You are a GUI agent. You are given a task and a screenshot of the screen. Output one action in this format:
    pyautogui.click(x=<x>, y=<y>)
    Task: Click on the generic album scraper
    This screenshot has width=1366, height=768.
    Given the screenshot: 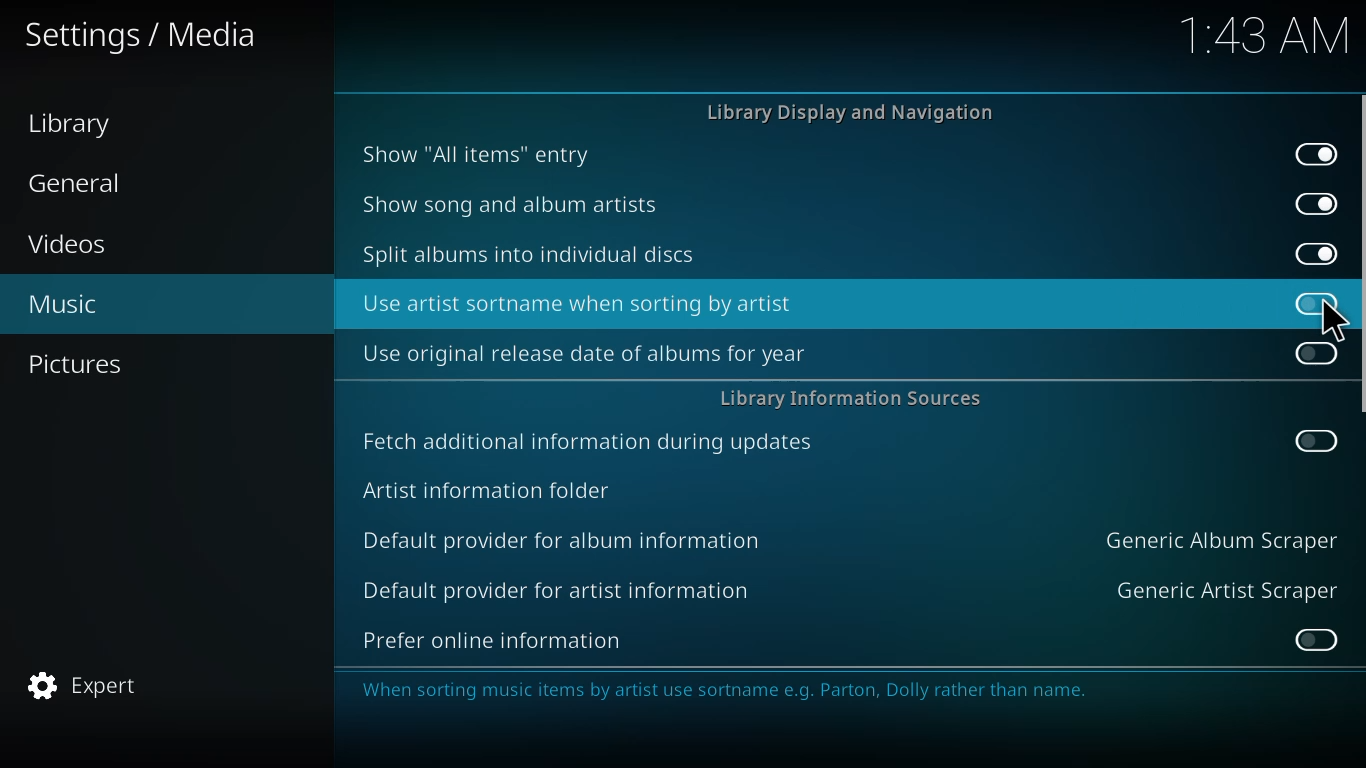 What is the action you would take?
    pyautogui.click(x=1219, y=539)
    